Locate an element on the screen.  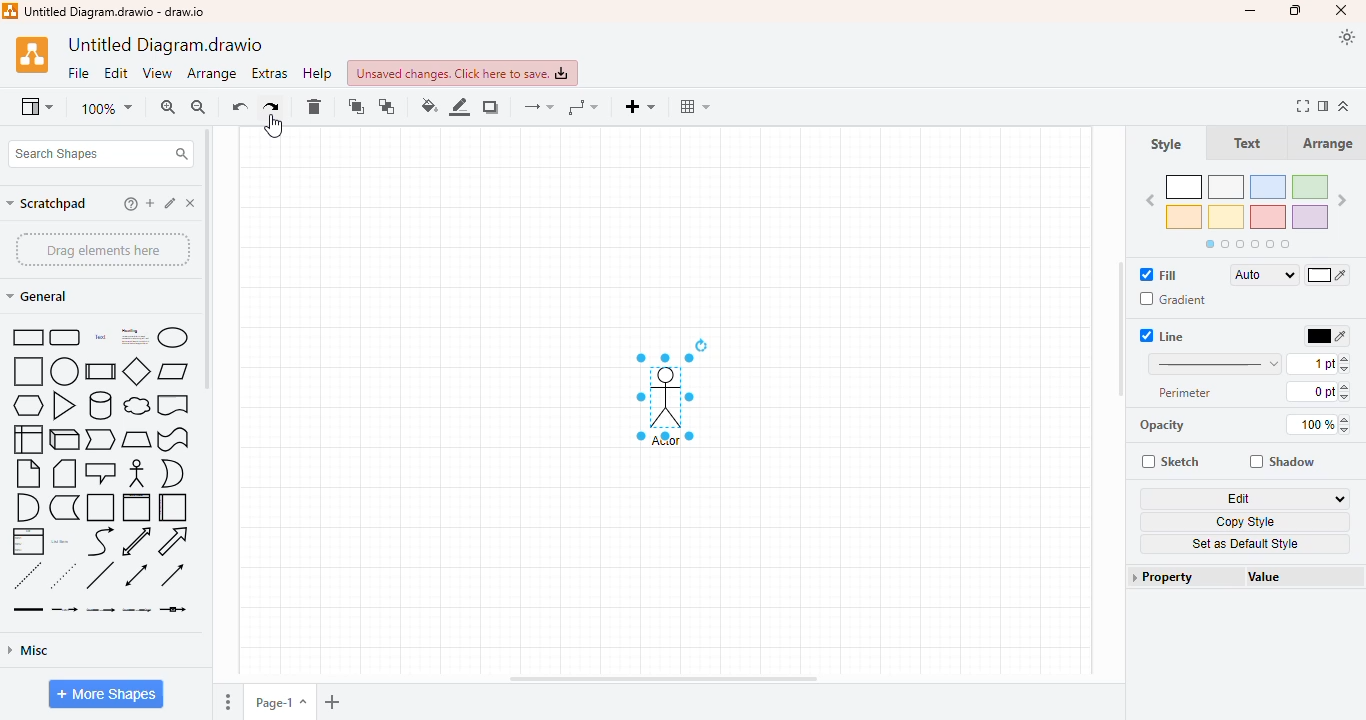
zoom out is located at coordinates (198, 107).